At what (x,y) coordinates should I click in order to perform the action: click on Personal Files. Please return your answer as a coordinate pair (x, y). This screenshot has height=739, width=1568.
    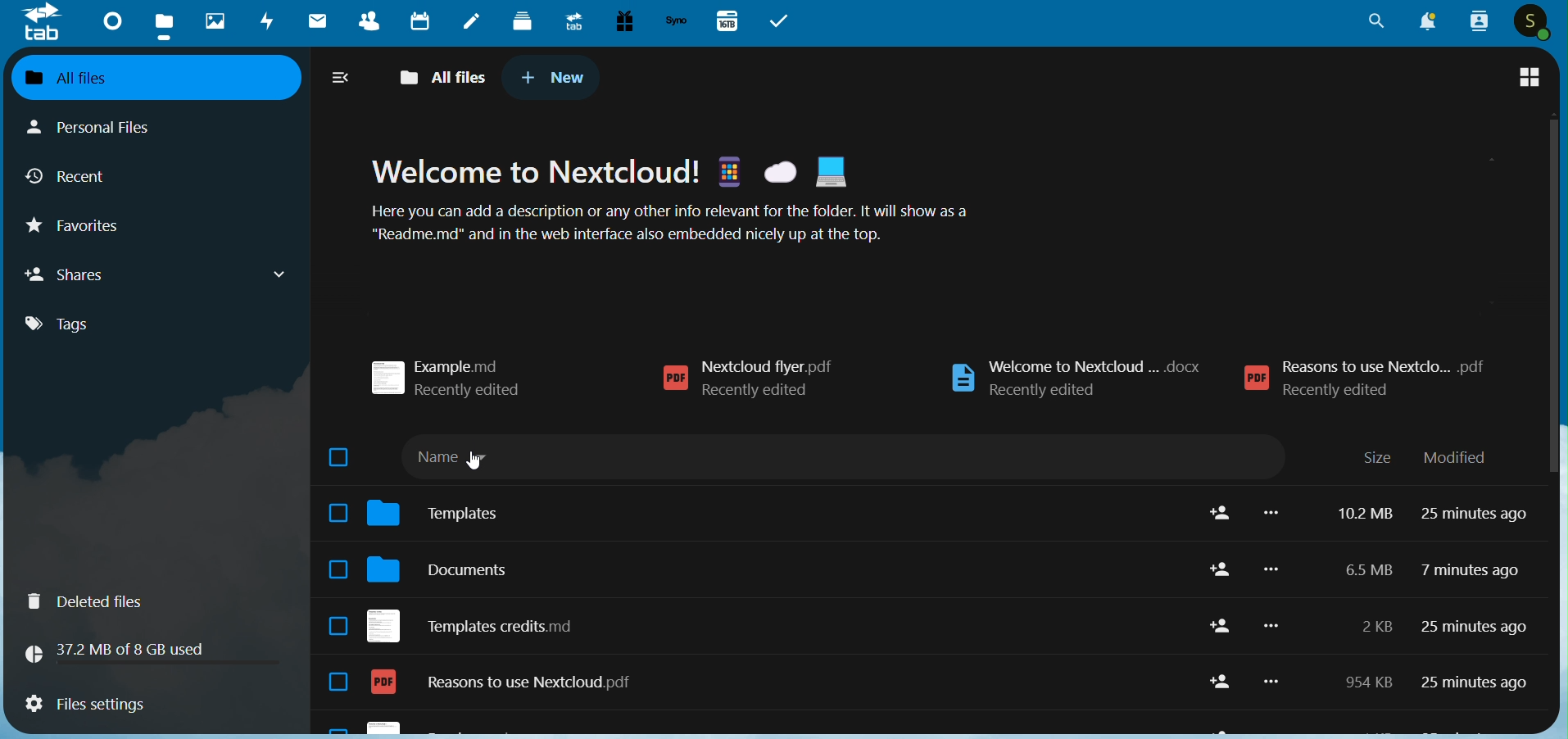
    Looking at the image, I should click on (106, 127).